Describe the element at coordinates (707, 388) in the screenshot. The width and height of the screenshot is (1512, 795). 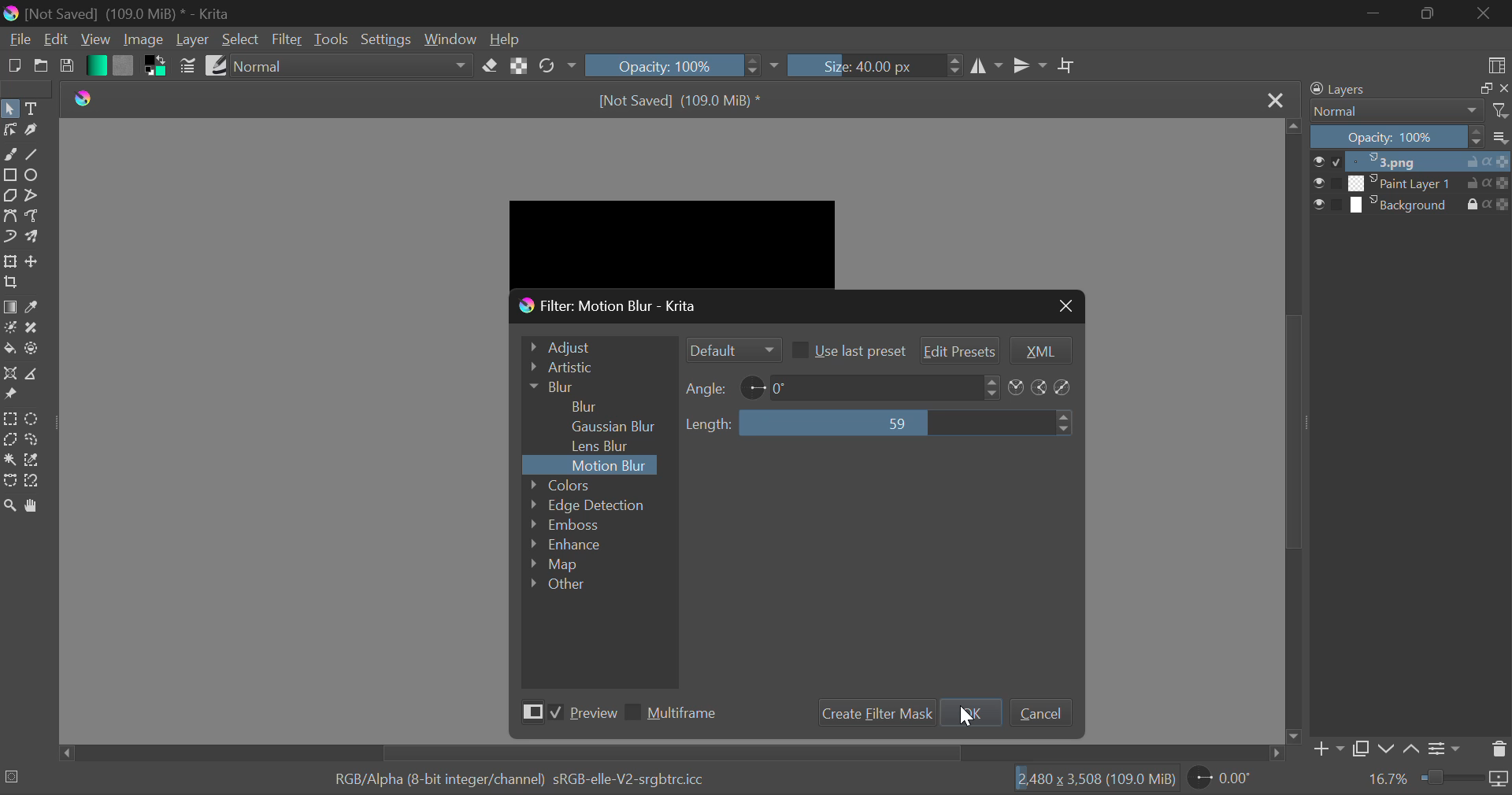
I see `Angle` at that location.